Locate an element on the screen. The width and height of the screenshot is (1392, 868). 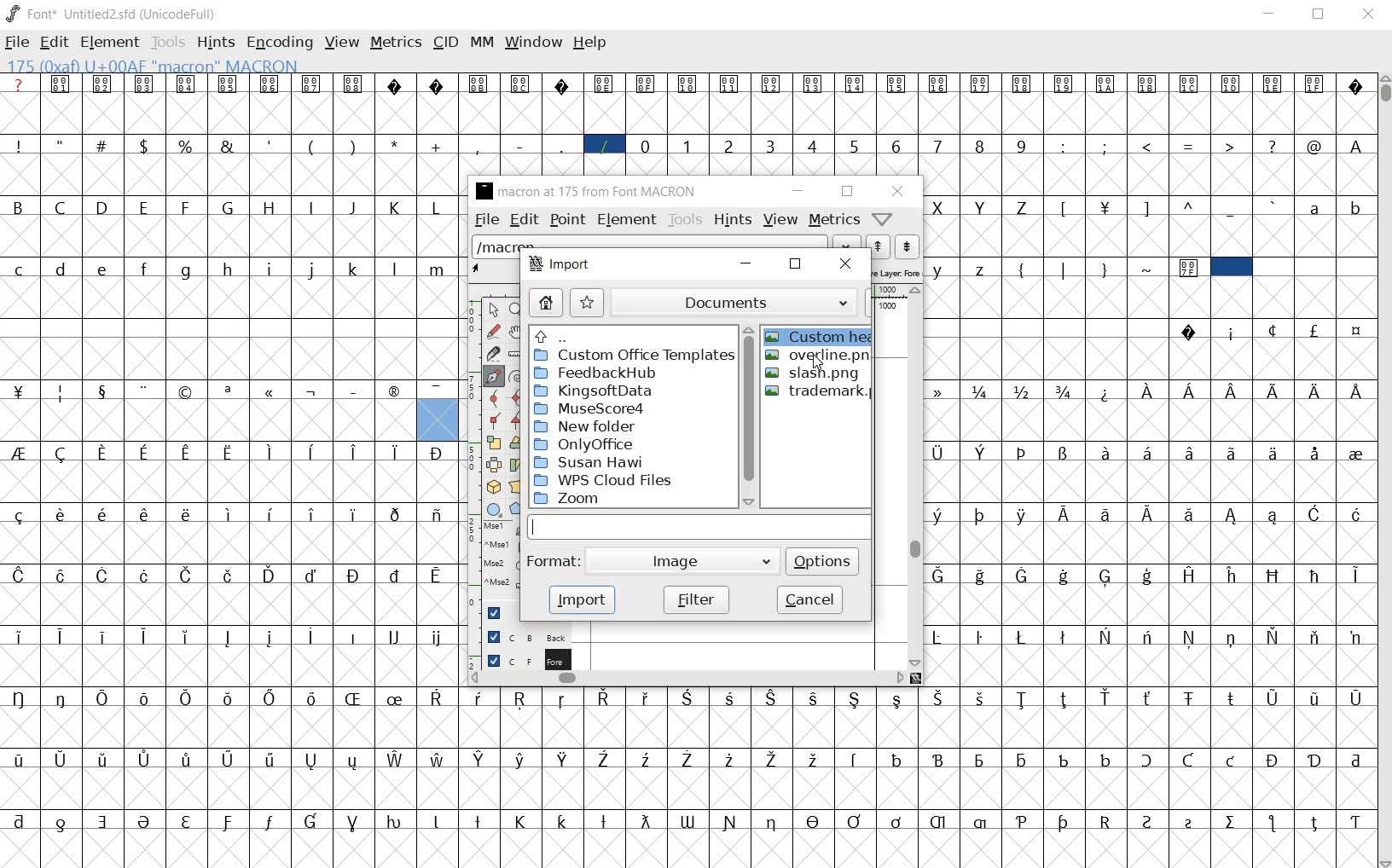
? is located at coordinates (1271, 144).